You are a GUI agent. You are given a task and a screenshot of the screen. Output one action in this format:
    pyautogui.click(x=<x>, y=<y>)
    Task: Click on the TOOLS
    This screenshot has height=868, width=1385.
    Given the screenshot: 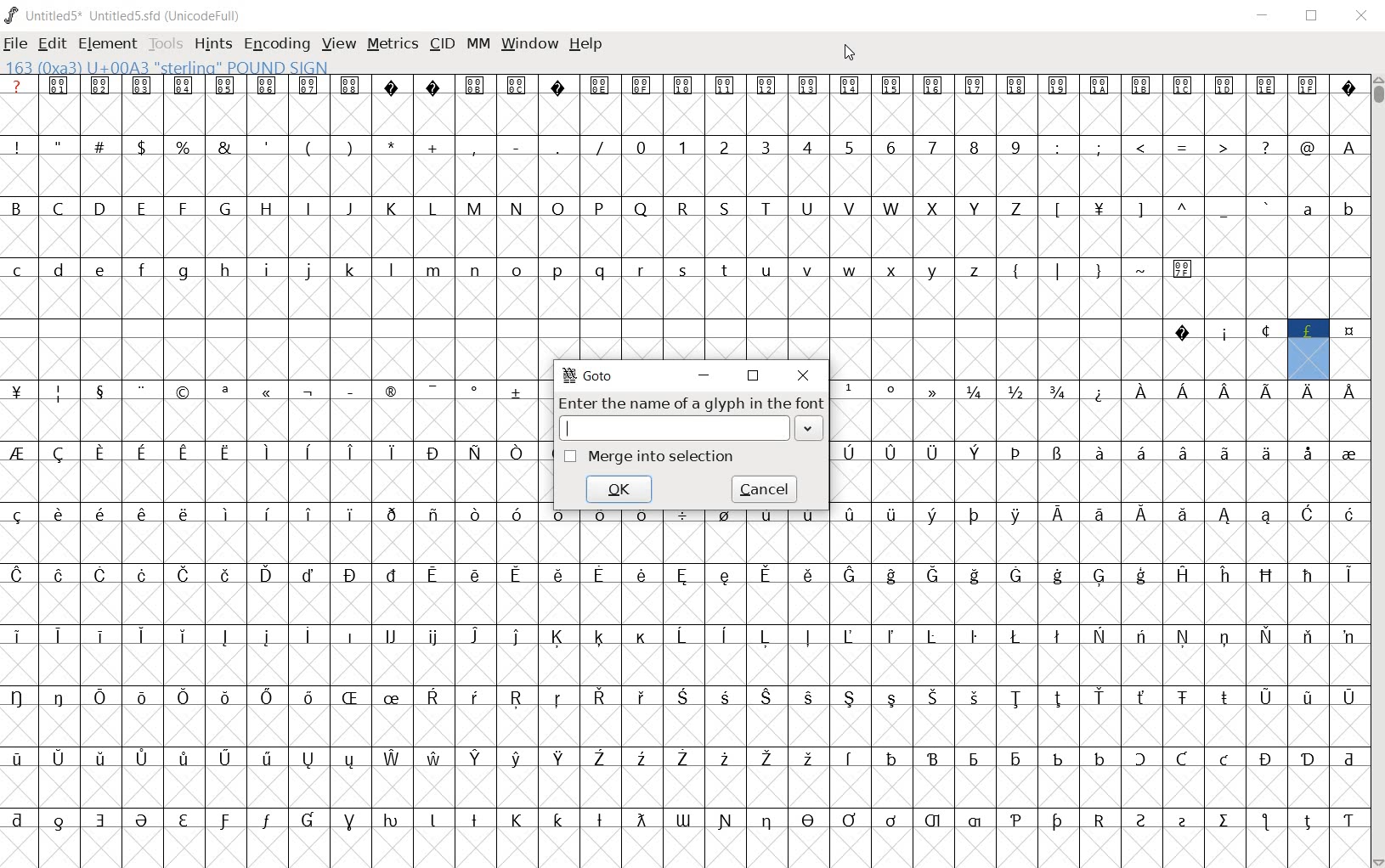 What is the action you would take?
    pyautogui.click(x=164, y=45)
    